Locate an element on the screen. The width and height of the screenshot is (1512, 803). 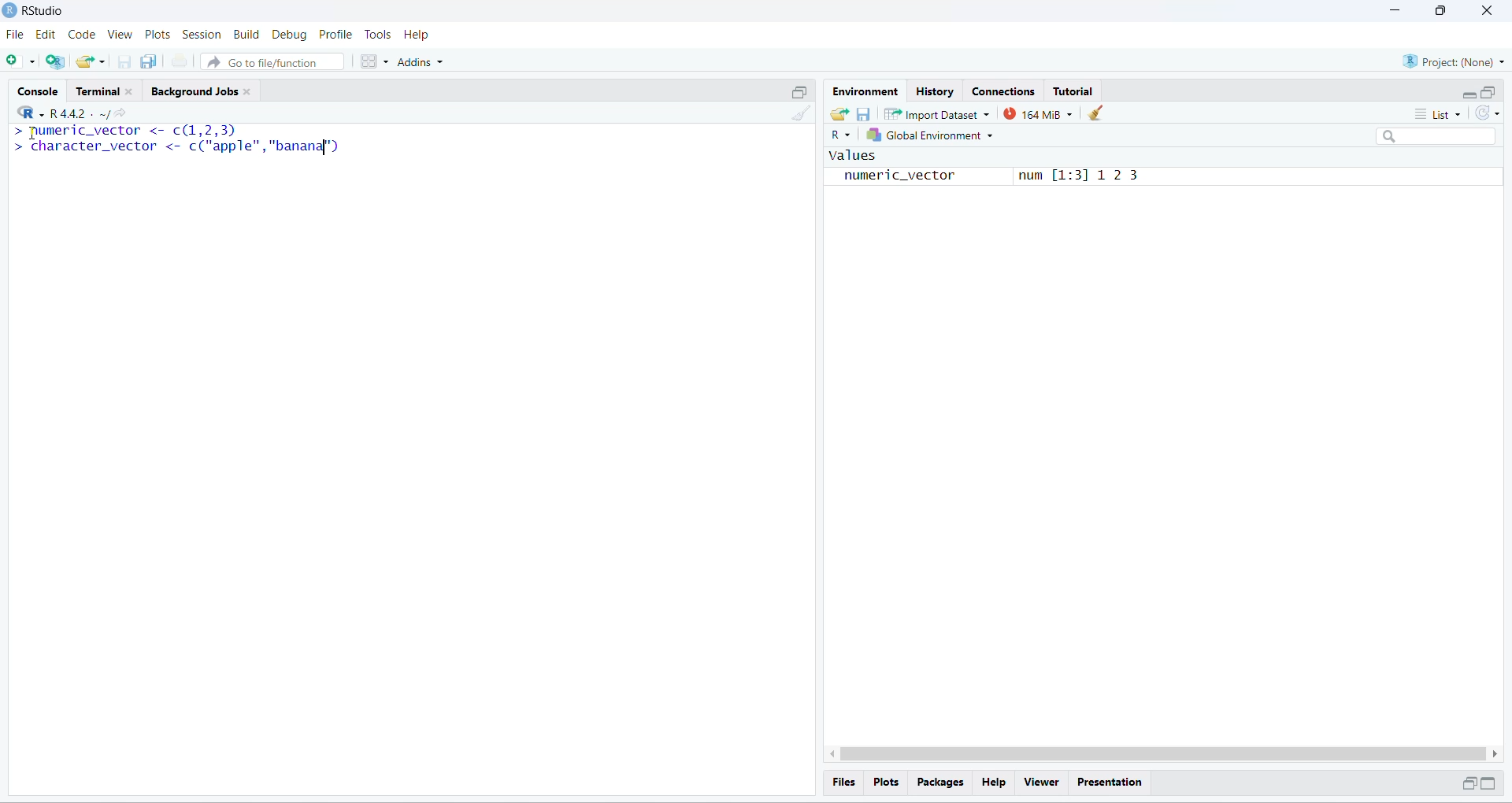
Console is located at coordinates (37, 89).